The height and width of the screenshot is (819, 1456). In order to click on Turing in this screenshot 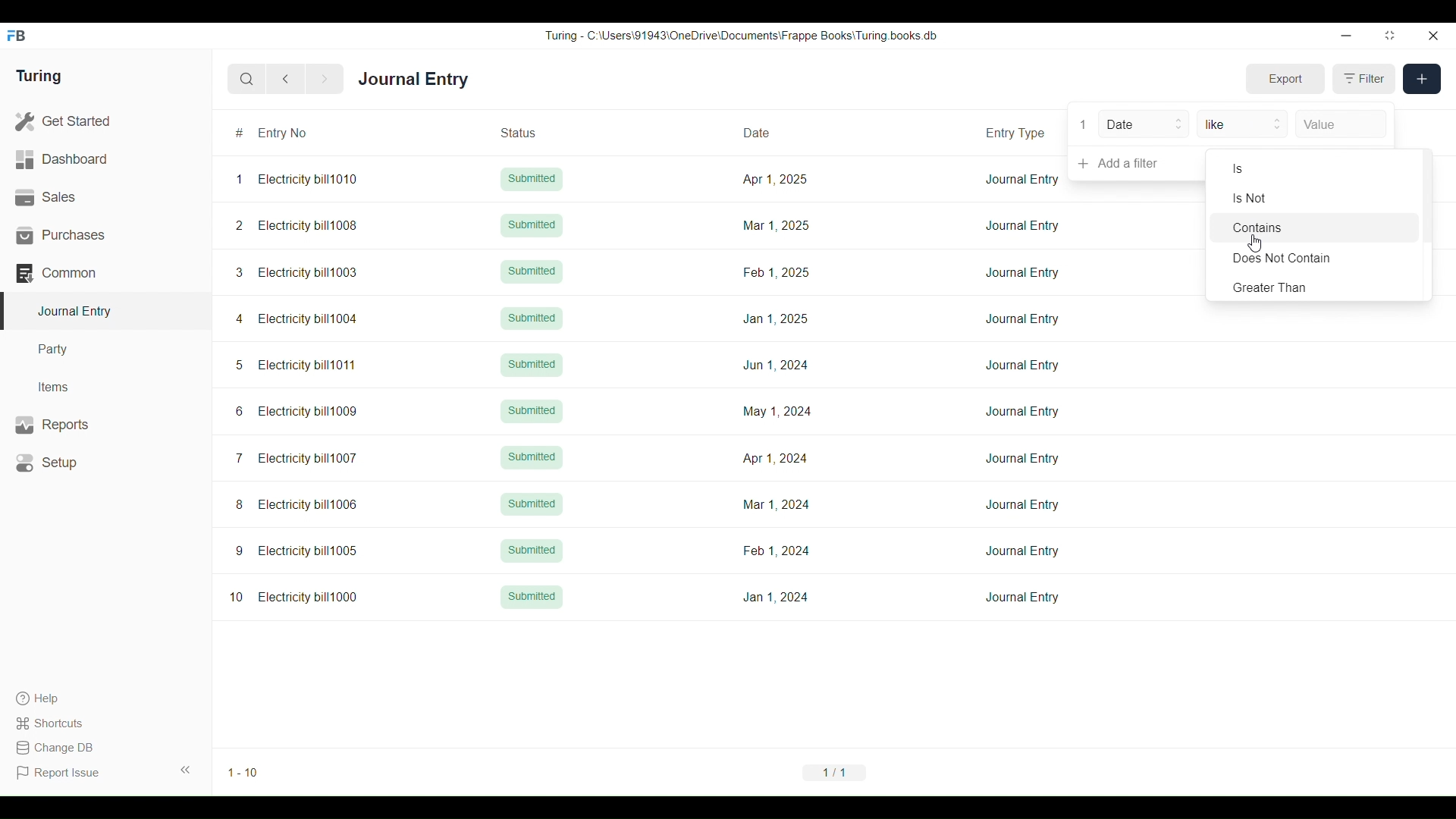, I will do `click(39, 76)`.